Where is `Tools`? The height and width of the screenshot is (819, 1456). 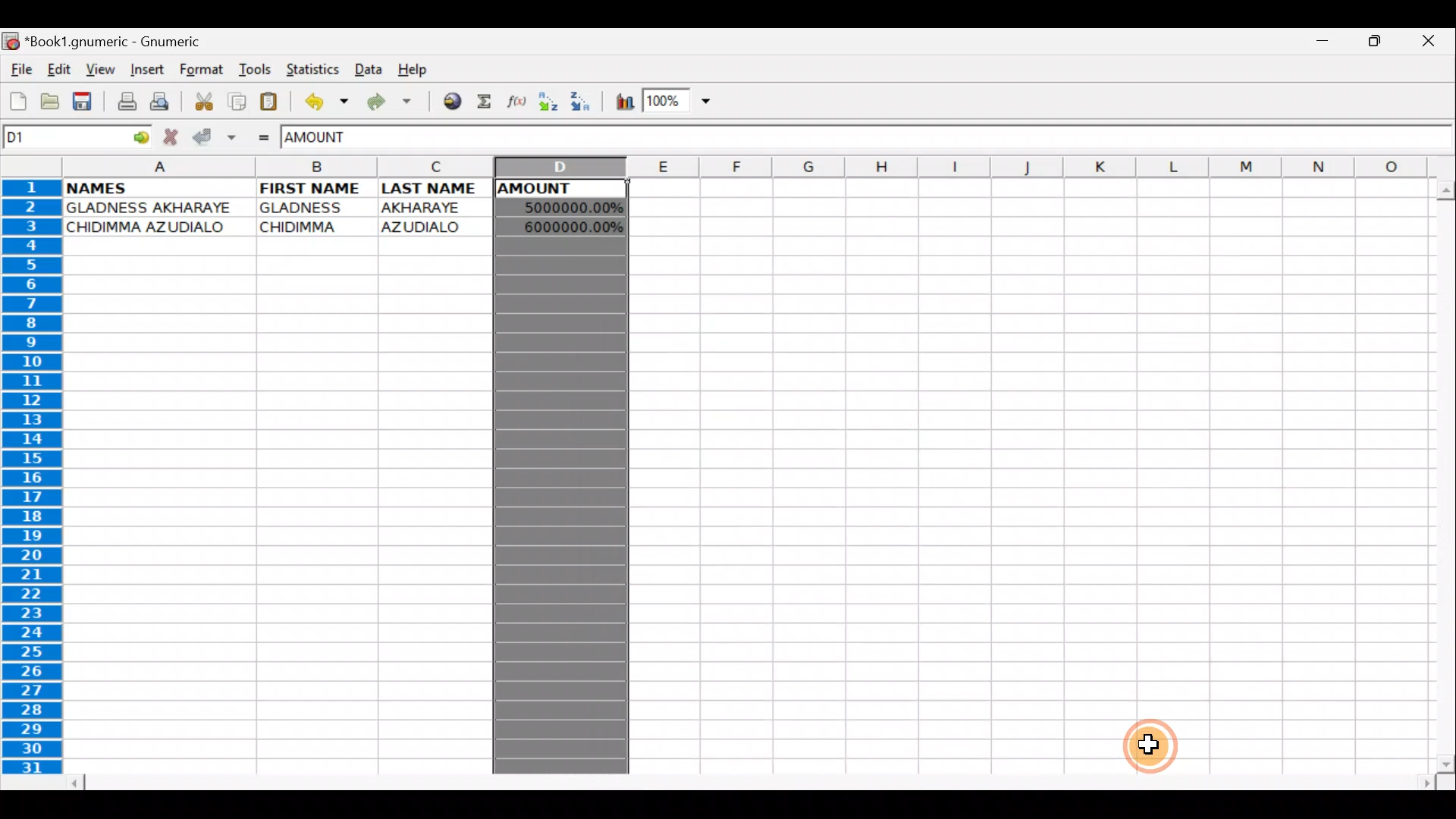 Tools is located at coordinates (250, 71).